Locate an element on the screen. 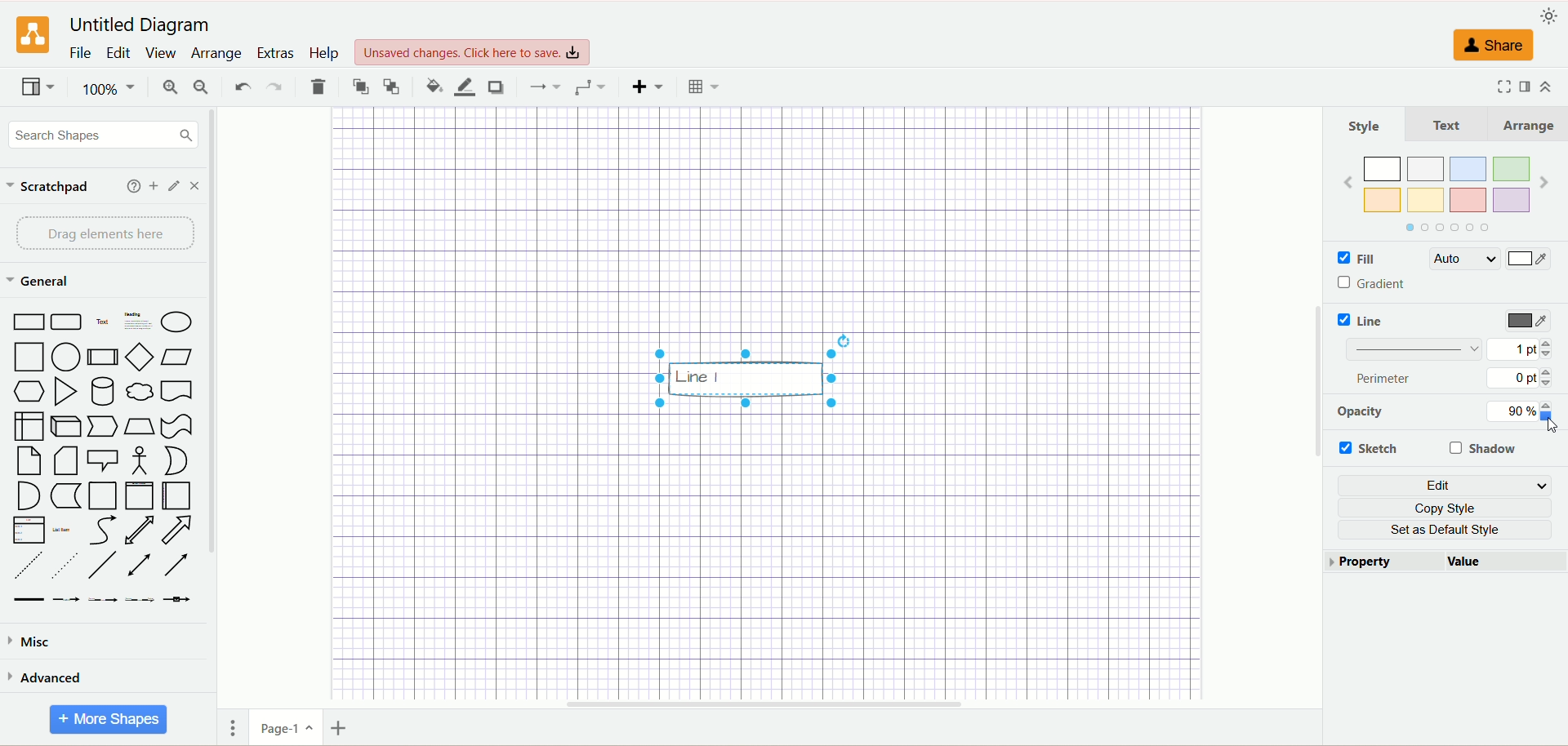  file is located at coordinates (80, 54).